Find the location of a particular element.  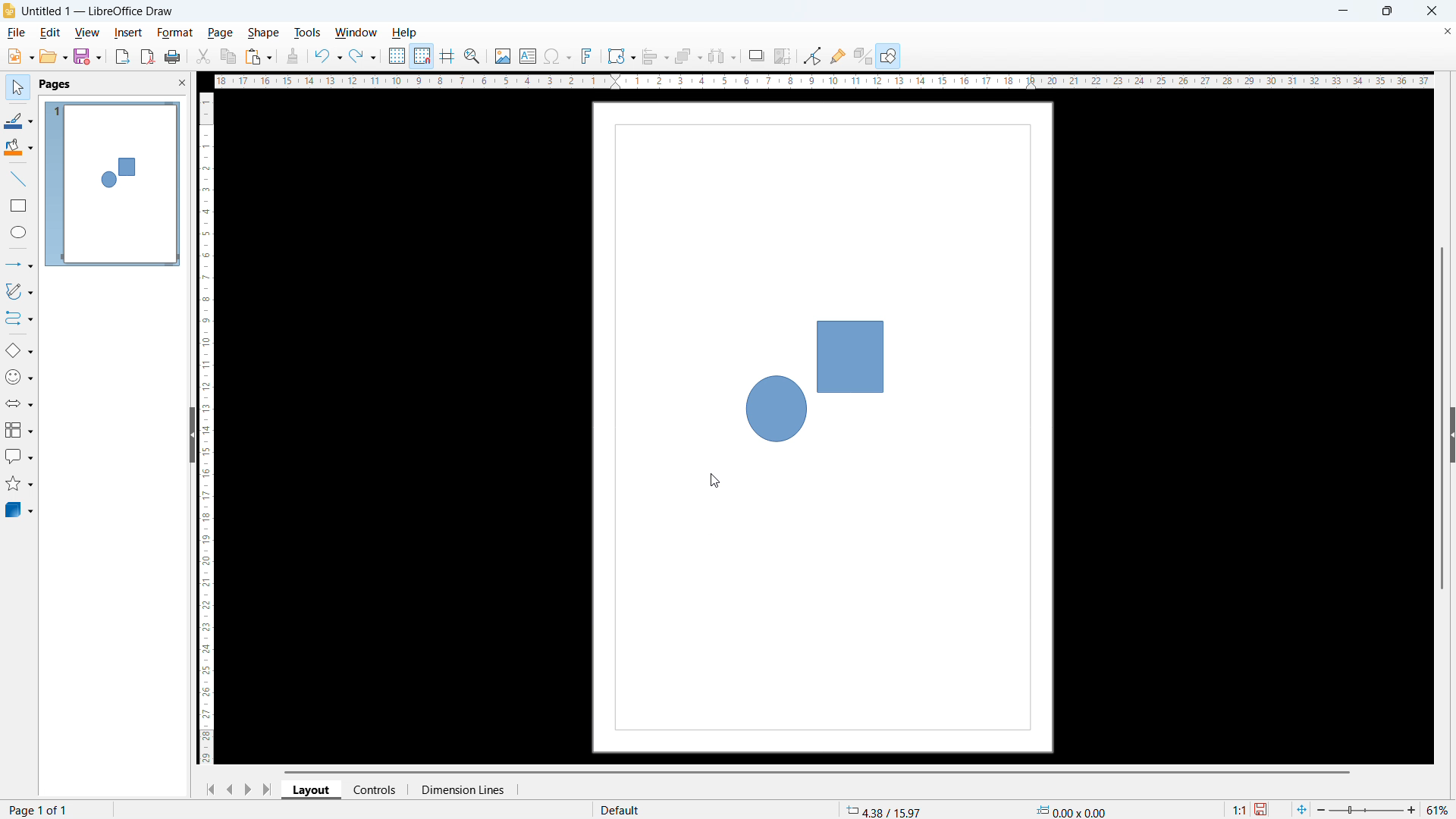

hide pane is located at coordinates (193, 435).